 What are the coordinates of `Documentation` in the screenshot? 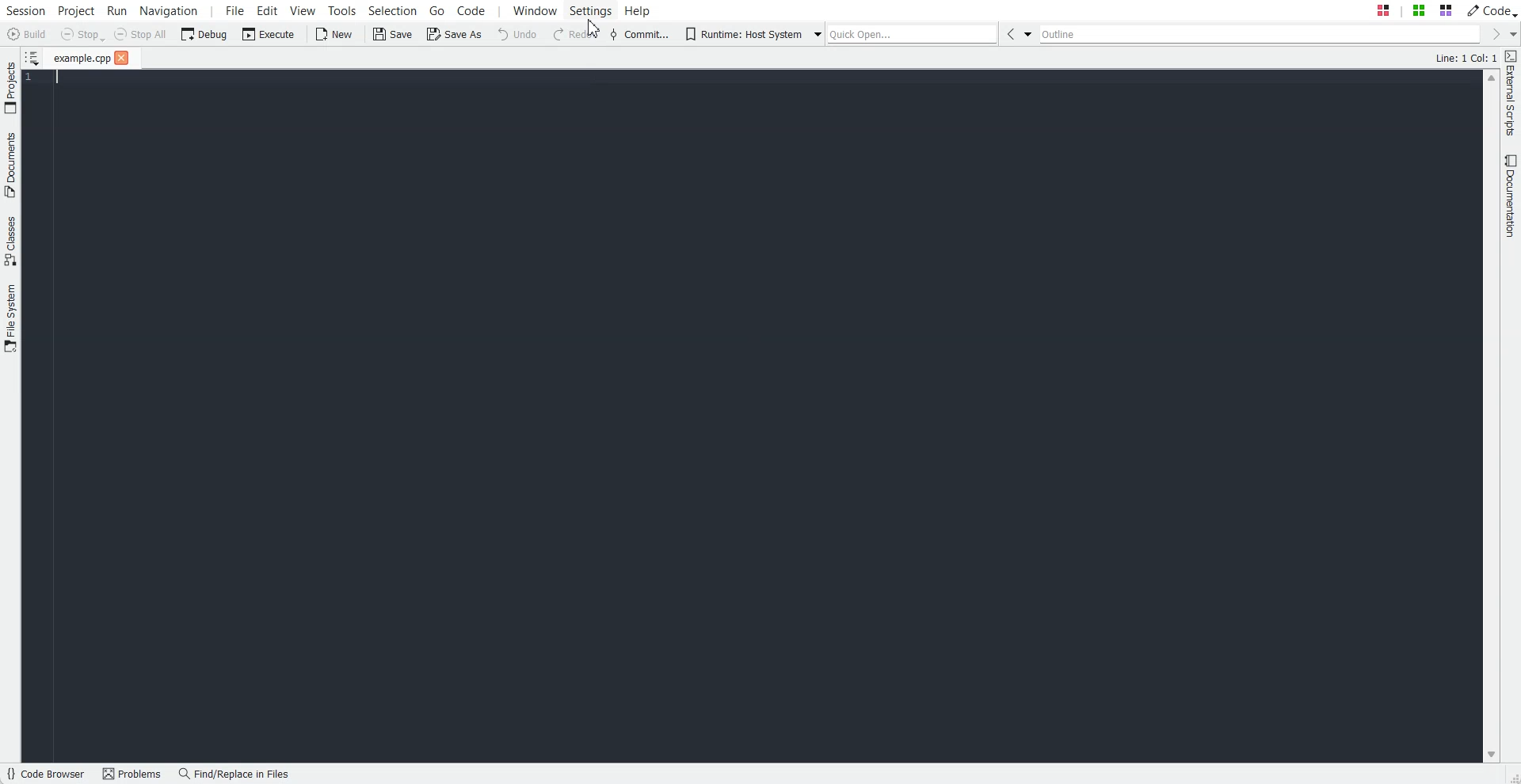 It's located at (1511, 196).